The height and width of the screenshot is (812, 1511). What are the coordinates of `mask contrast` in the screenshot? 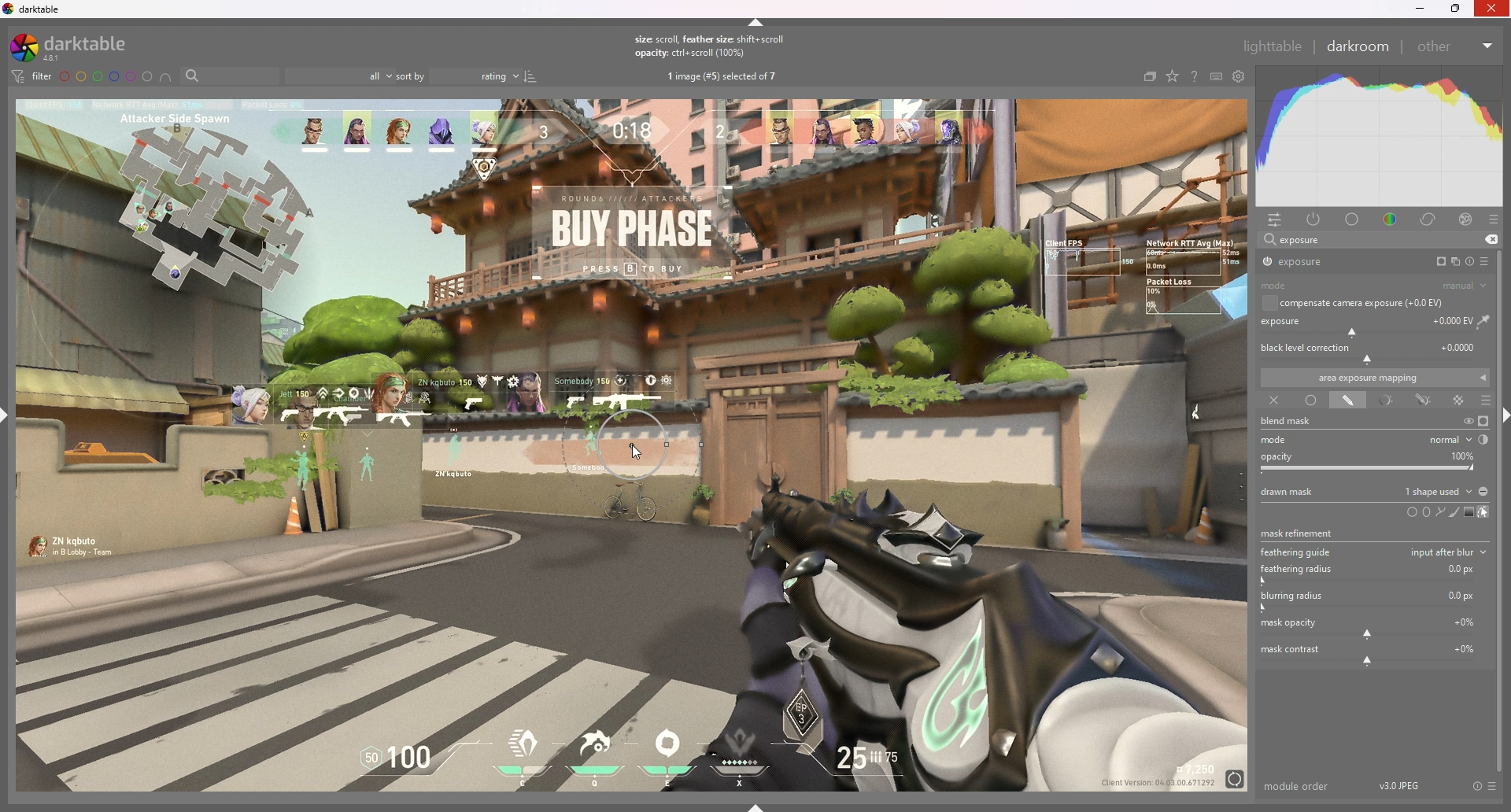 It's located at (1372, 654).